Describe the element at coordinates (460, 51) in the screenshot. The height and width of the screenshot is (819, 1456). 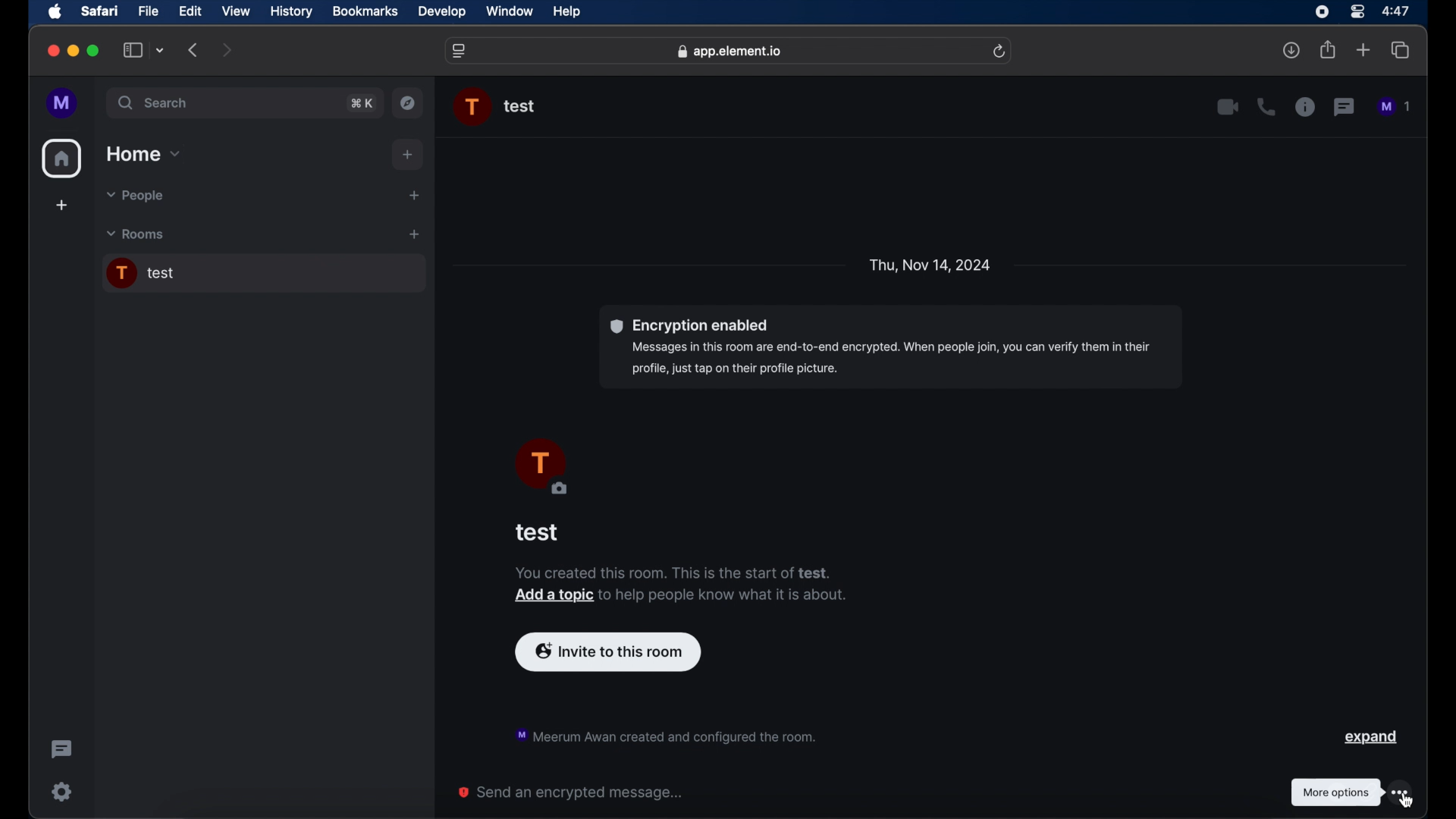
I see `website settings` at that location.